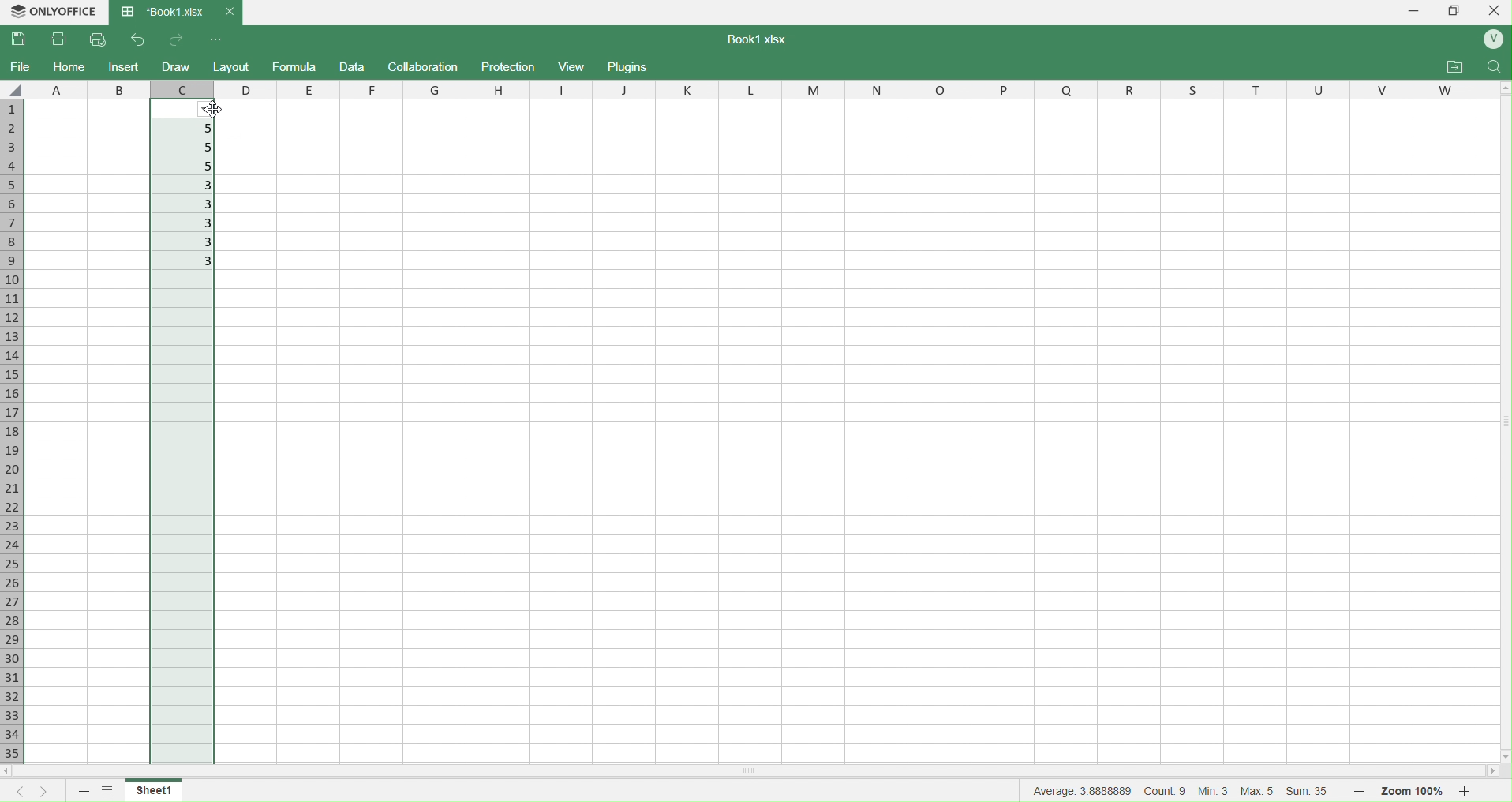 The image size is (1512, 802). I want to click on Zoom, so click(1414, 792).